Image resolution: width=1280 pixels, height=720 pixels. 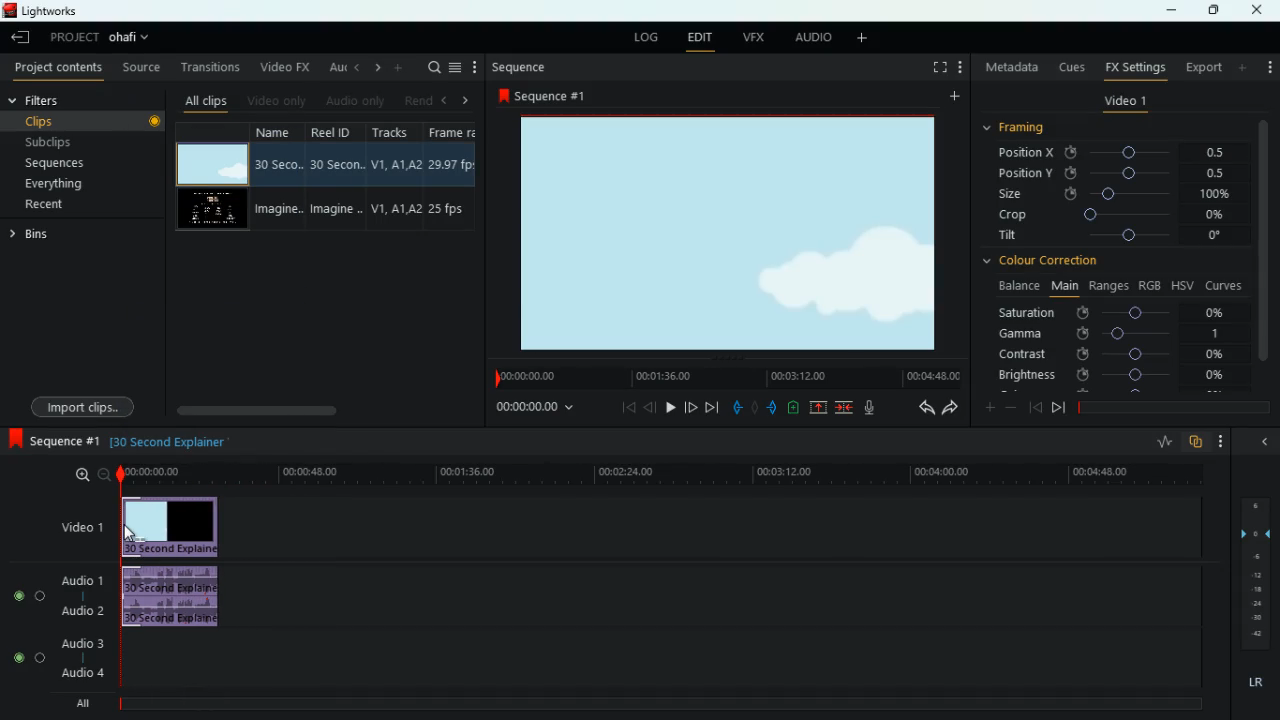 I want to click on balance, so click(x=1018, y=286).